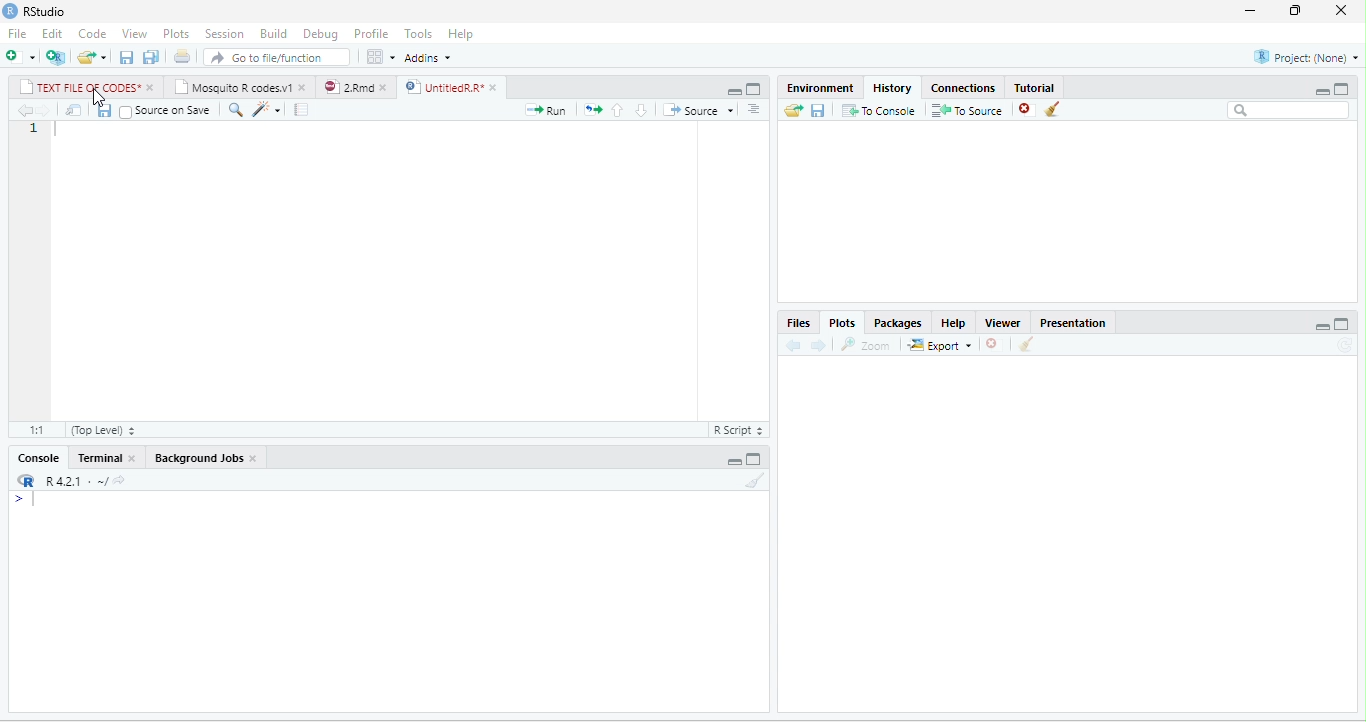 The height and width of the screenshot is (722, 1366). Describe the element at coordinates (24, 499) in the screenshot. I see `>` at that location.